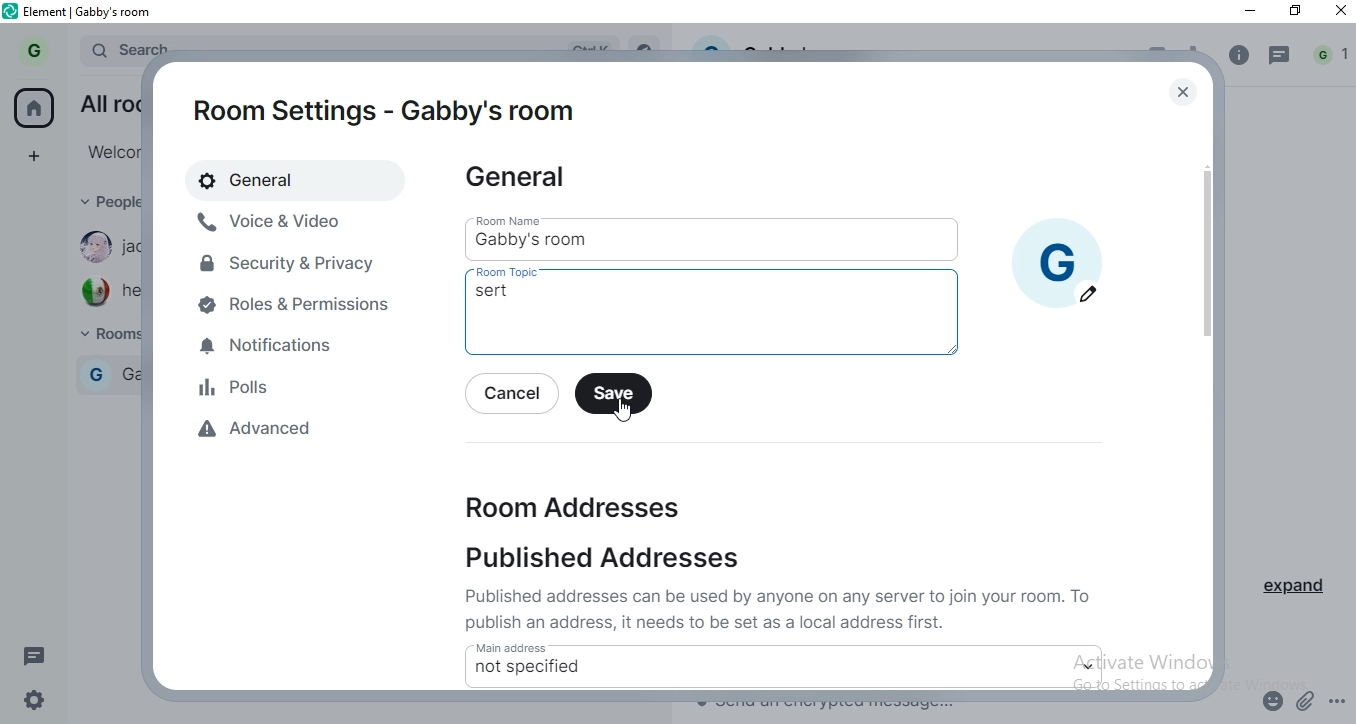 The height and width of the screenshot is (724, 1356). What do you see at coordinates (300, 385) in the screenshot?
I see `polls` at bounding box center [300, 385].